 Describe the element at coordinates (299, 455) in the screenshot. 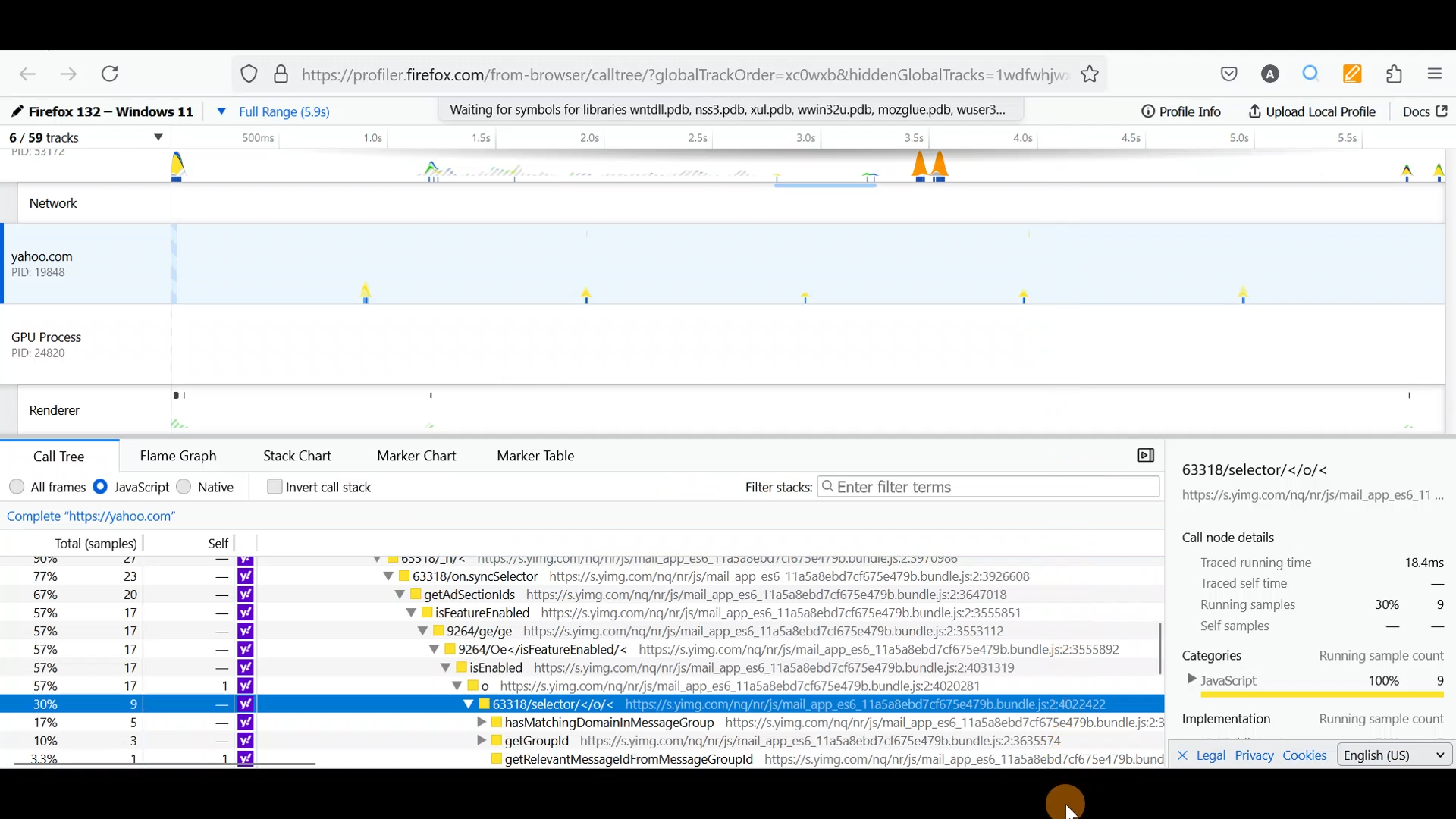

I see `Stack Chart` at that location.